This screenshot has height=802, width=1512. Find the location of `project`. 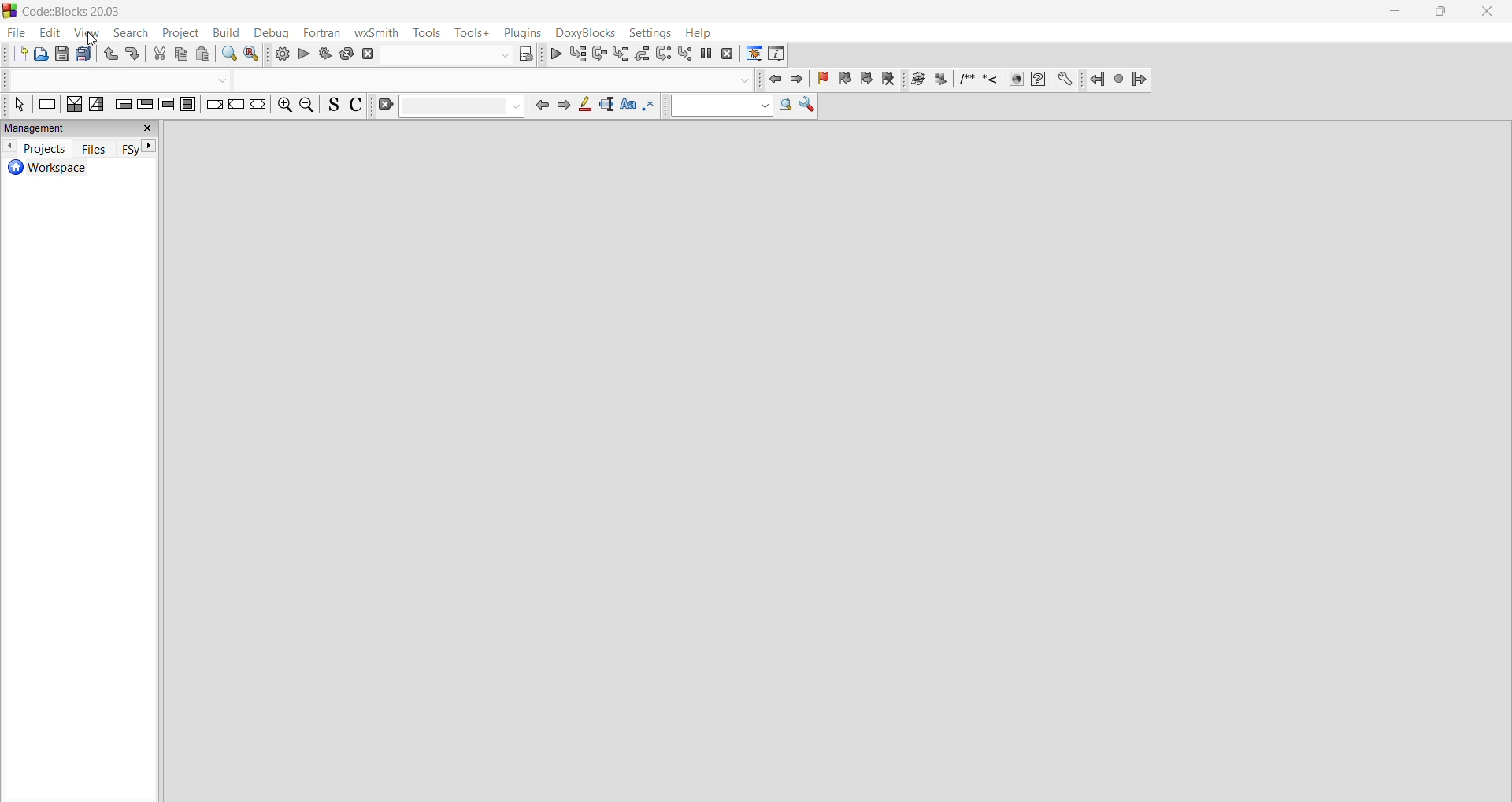

project is located at coordinates (181, 33).